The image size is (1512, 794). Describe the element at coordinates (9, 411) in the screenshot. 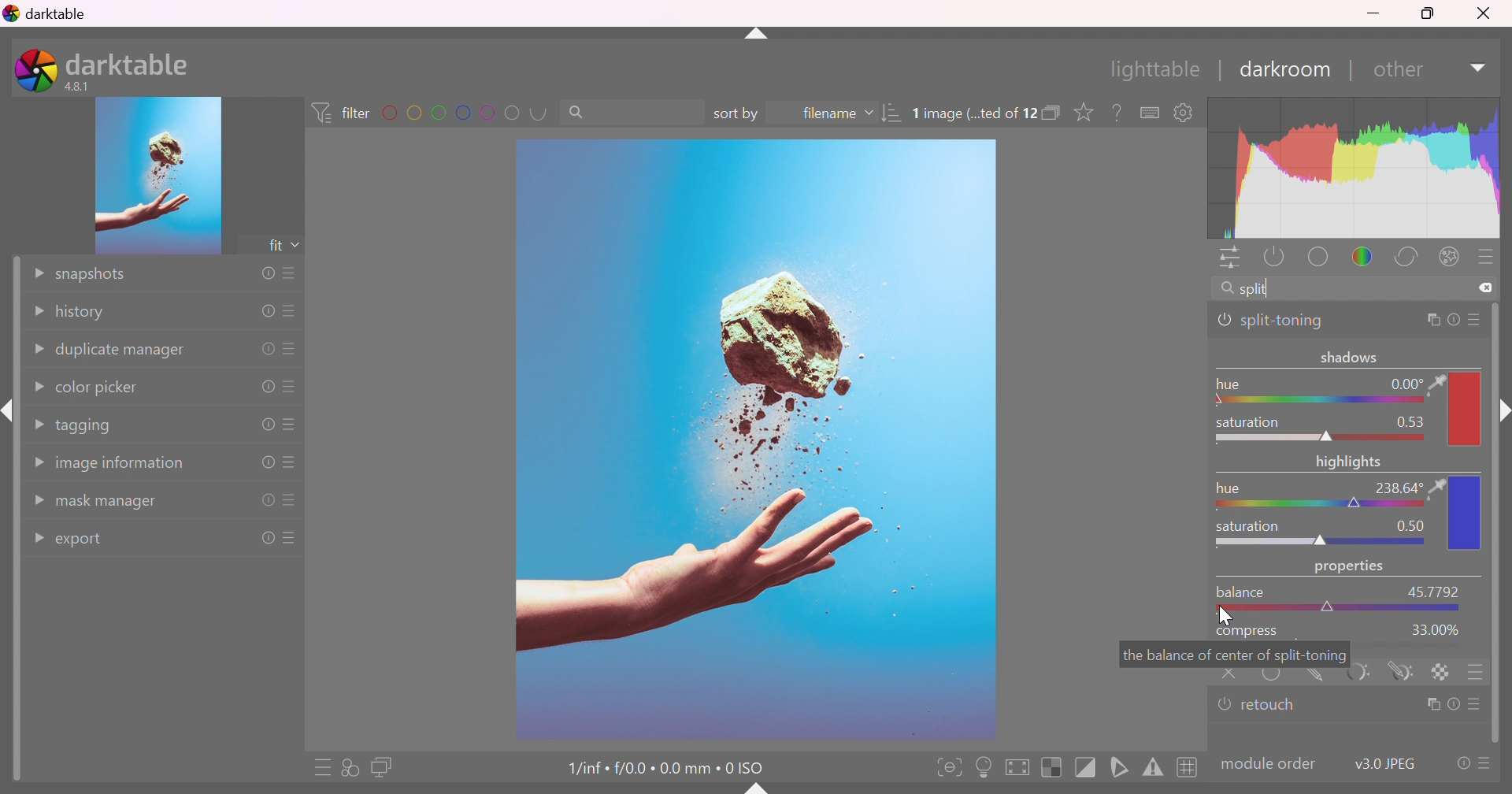

I see `shift+ctrl+i` at that location.